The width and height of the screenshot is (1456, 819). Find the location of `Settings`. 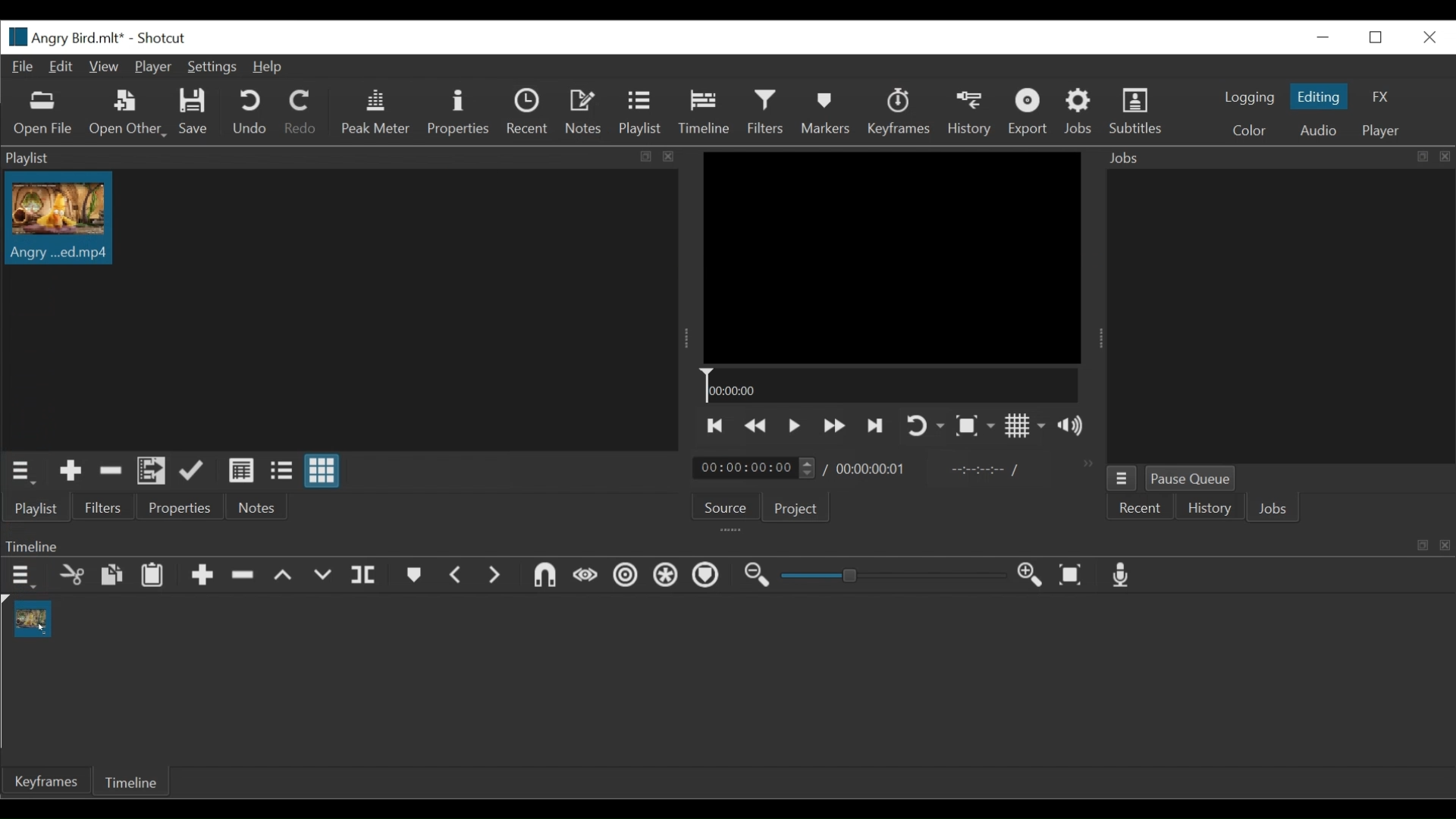

Settings is located at coordinates (211, 67).